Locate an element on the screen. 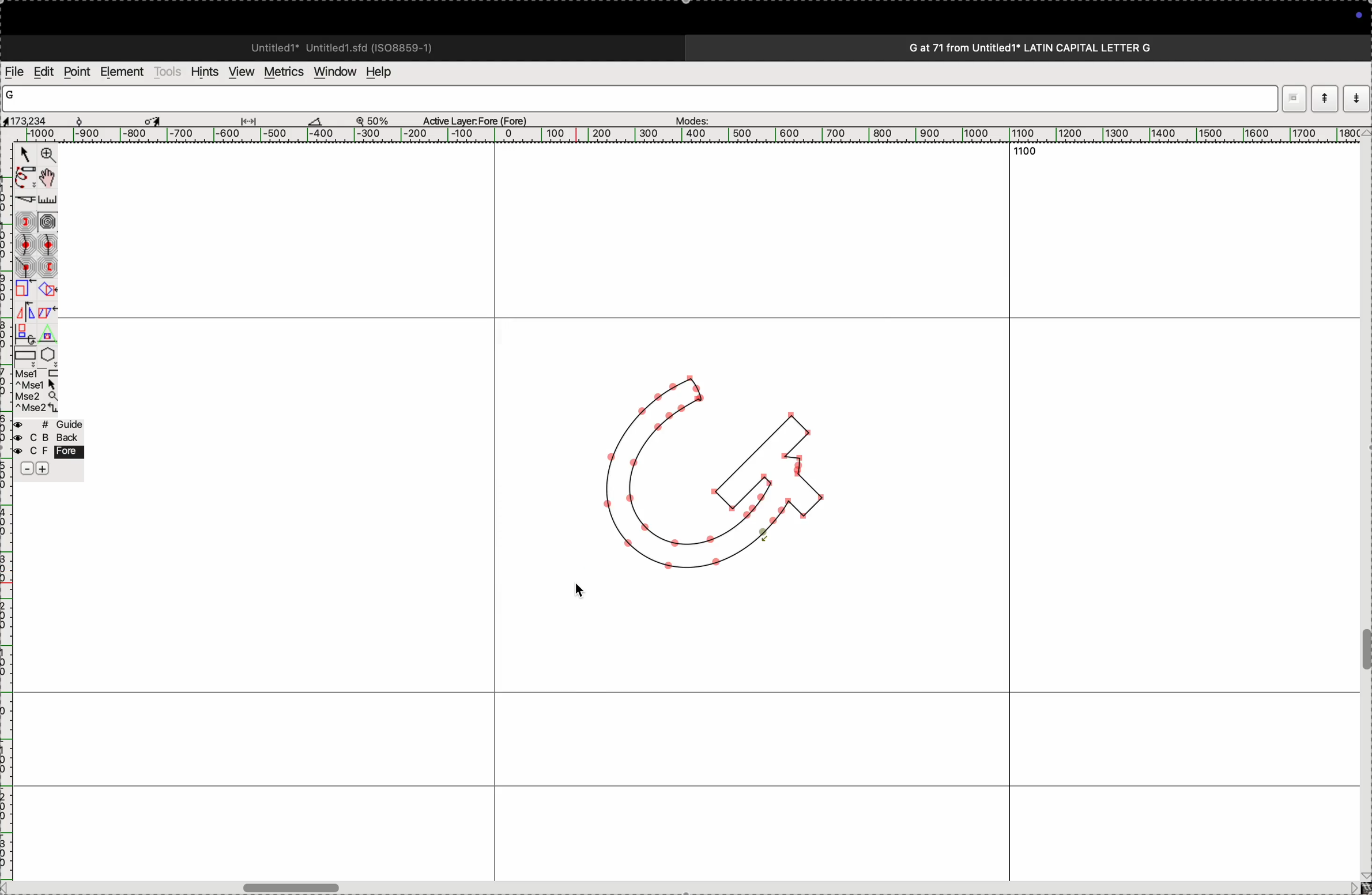  Zoom is located at coordinates (47, 155).